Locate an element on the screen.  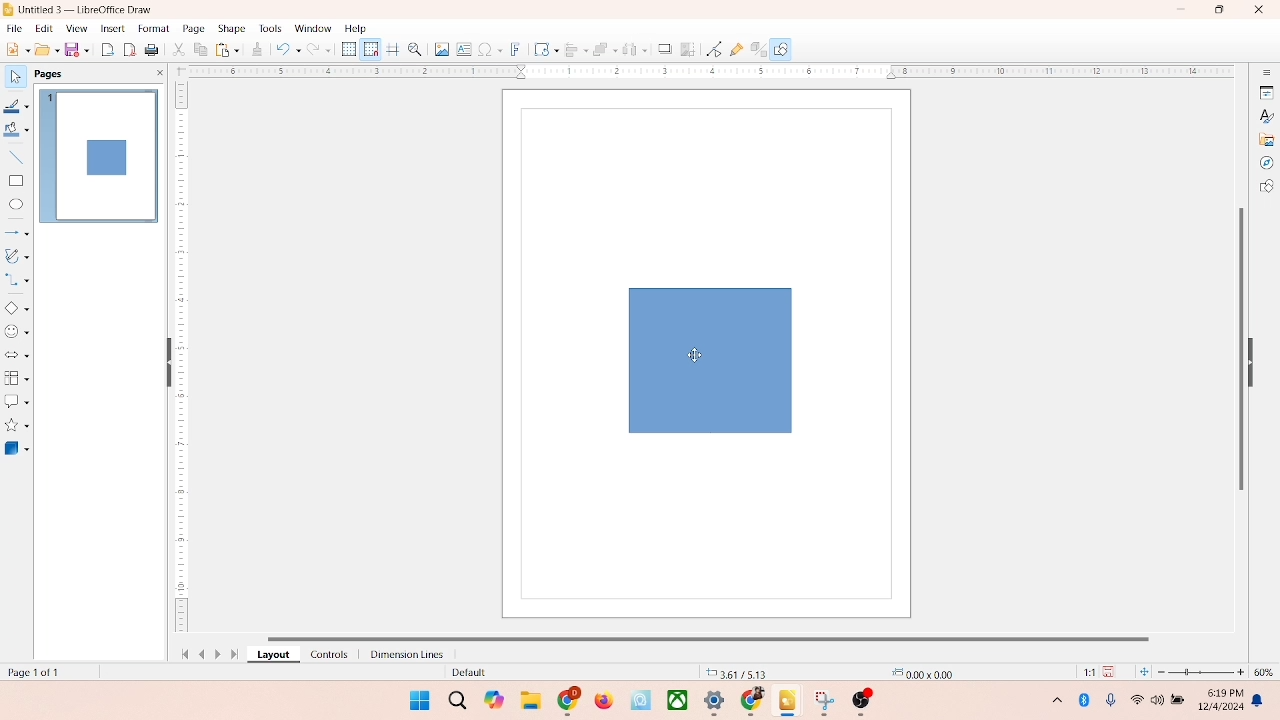
logo is located at coordinates (9, 9).